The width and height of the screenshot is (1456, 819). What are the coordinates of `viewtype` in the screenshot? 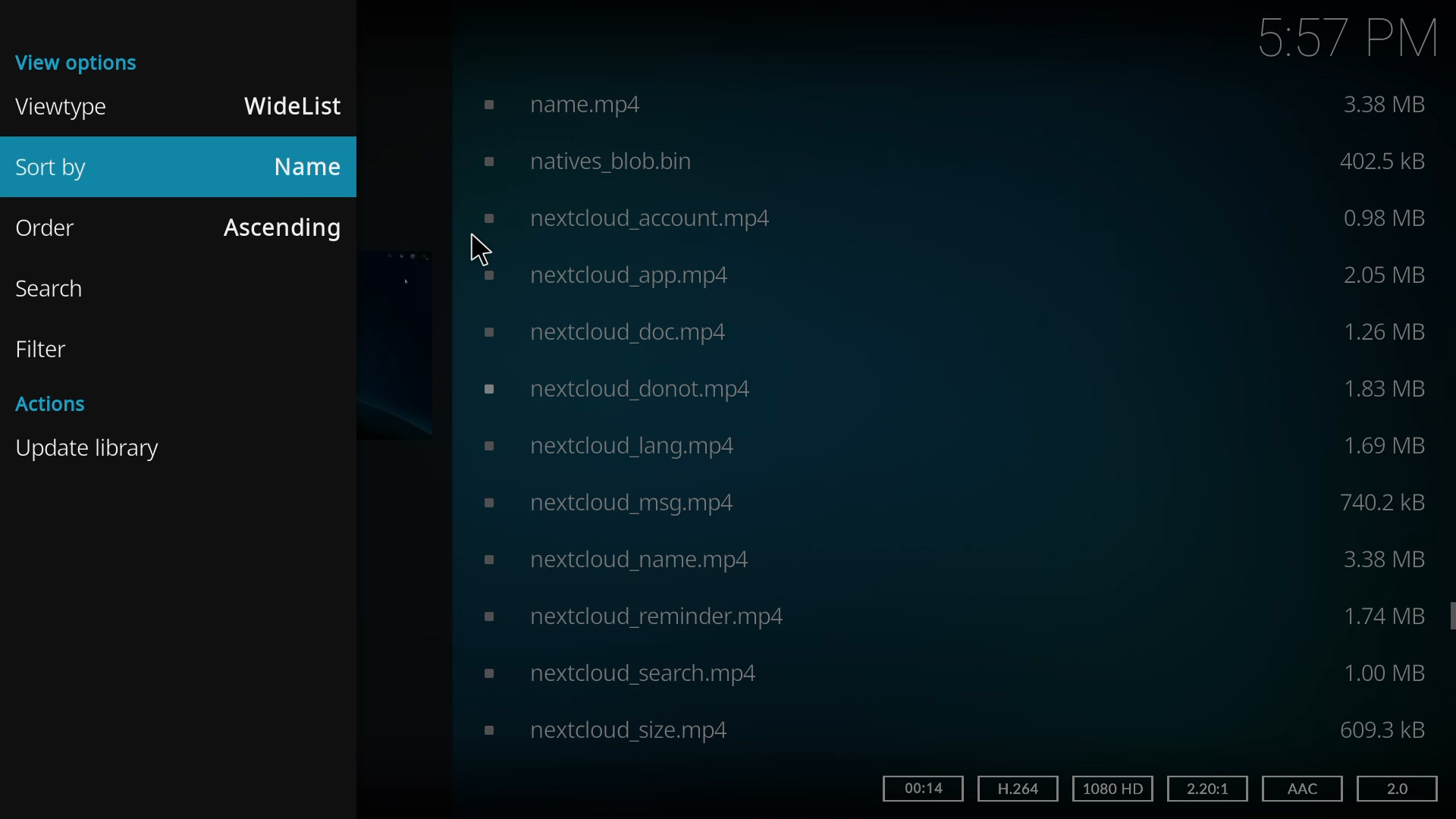 It's located at (65, 106).